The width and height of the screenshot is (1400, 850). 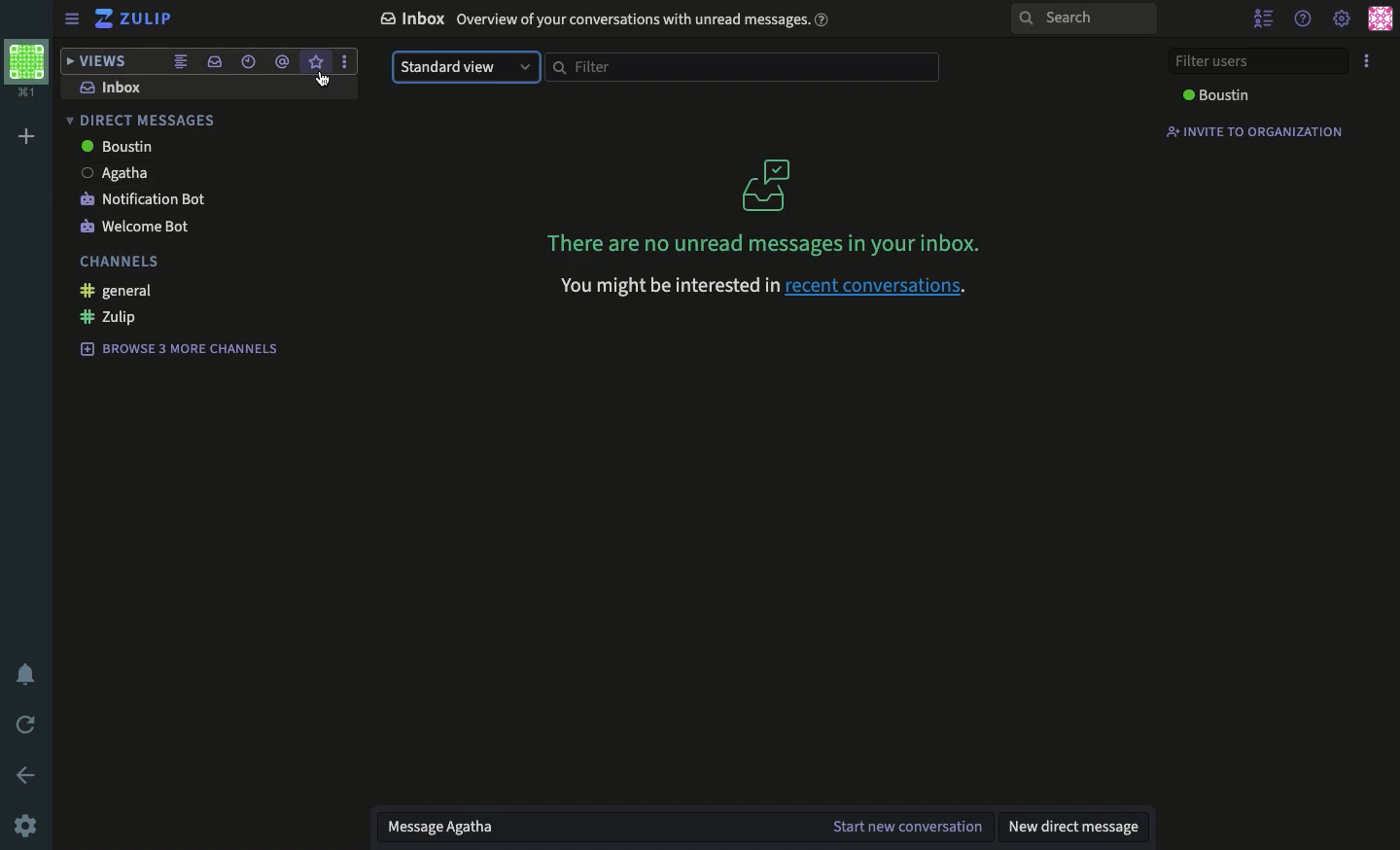 What do you see at coordinates (136, 200) in the screenshot?
I see `notification bot` at bounding box center [136, 200].